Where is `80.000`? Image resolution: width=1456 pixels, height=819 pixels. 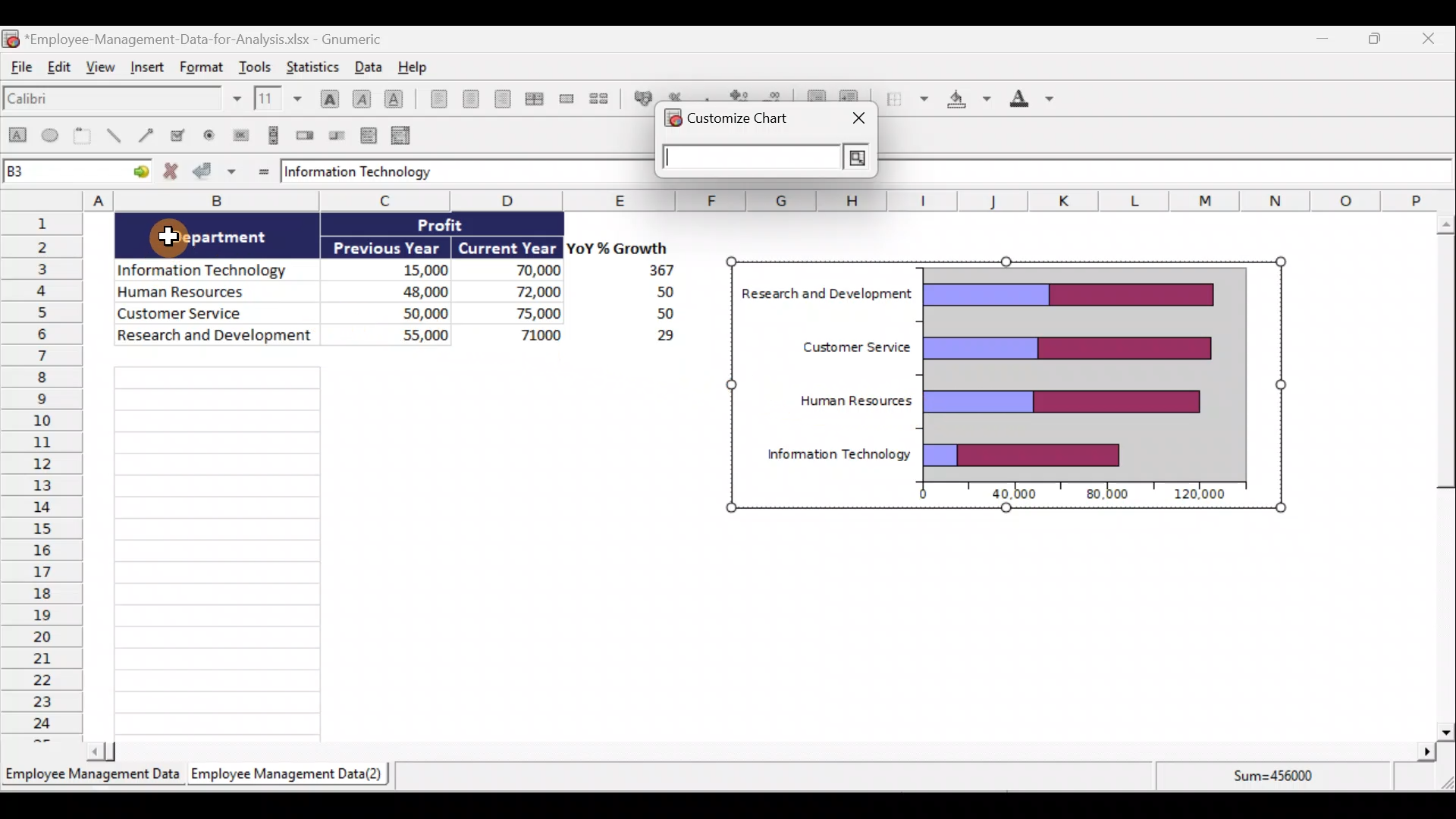 80.000 is located at coordinates (1103, 495).